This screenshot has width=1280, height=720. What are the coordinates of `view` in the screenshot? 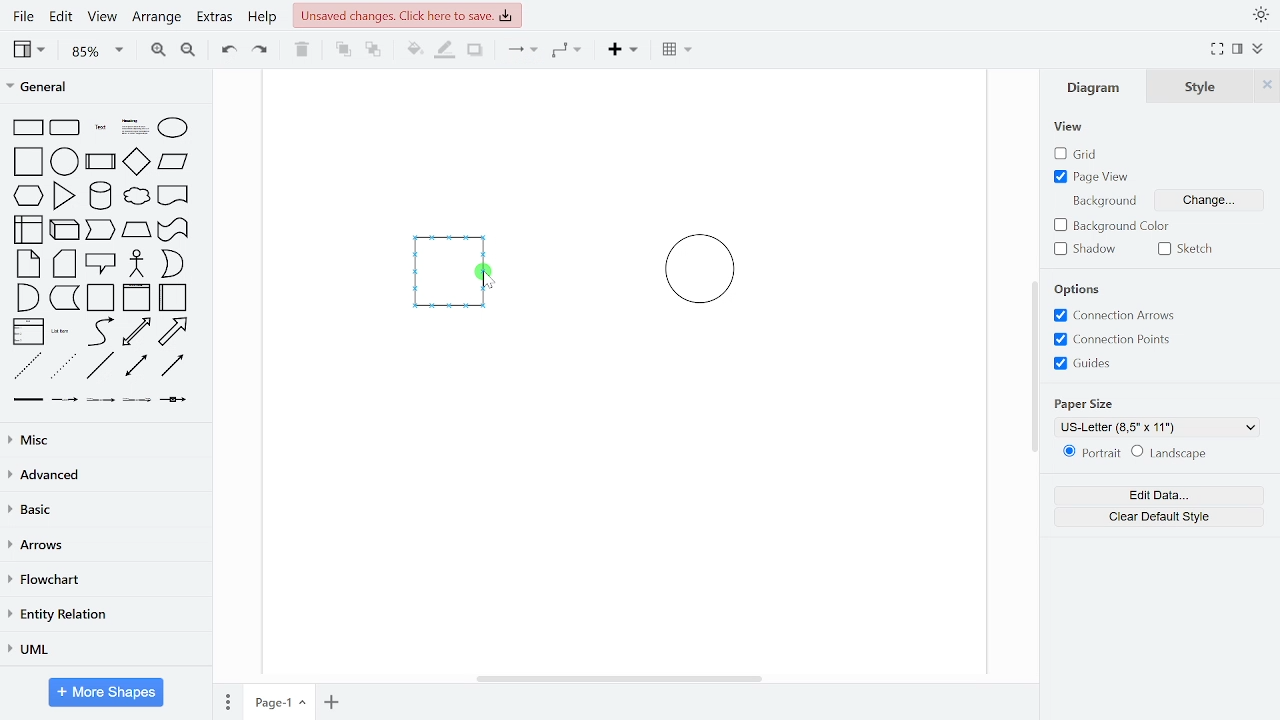 It's located at (100, 18).